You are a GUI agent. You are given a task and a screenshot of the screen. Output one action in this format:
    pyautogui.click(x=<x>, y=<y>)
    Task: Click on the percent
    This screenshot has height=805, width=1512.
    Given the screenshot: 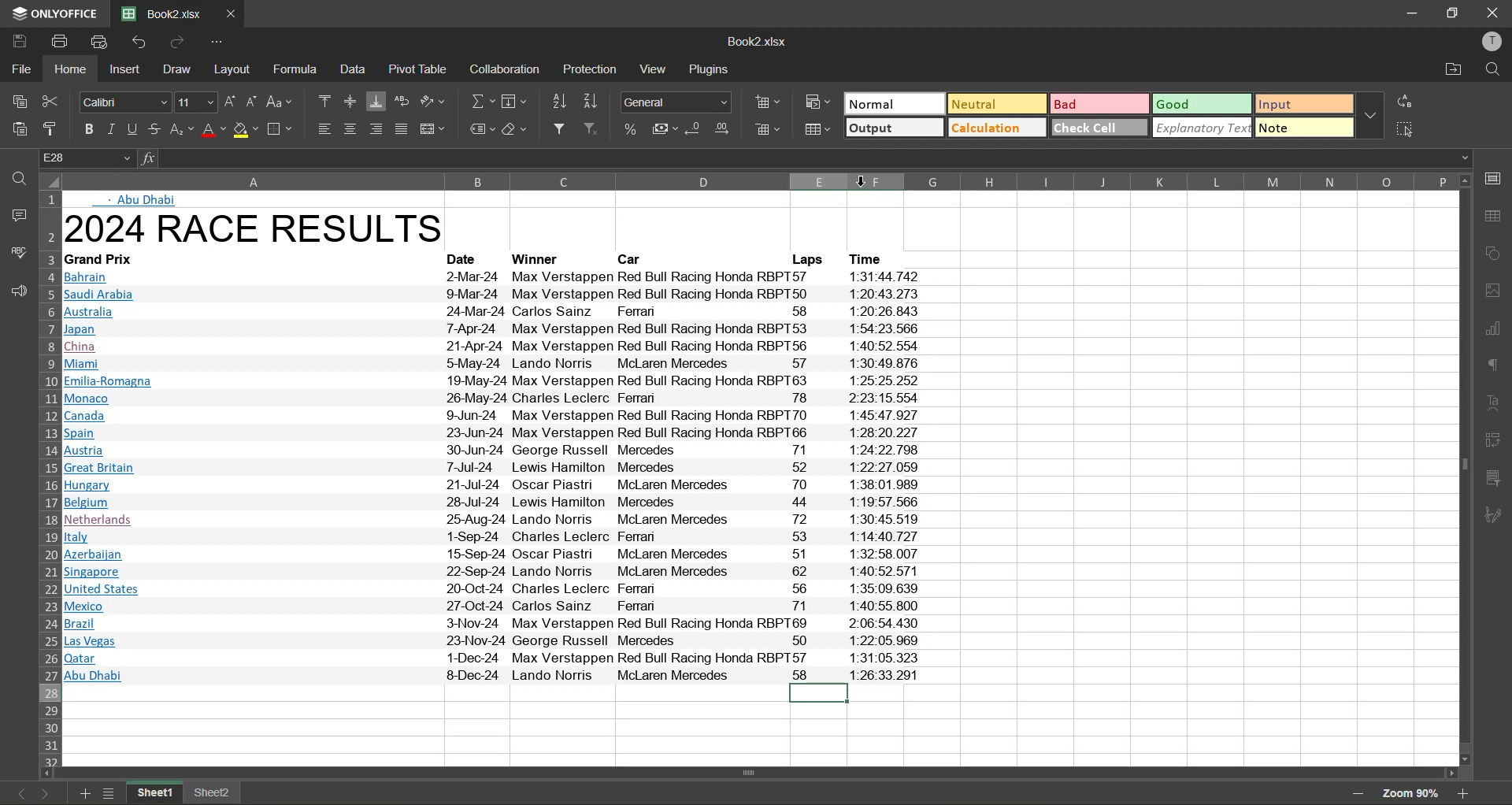 What is the action you would take?
    pyautogui.click(x=628, y=127)
    